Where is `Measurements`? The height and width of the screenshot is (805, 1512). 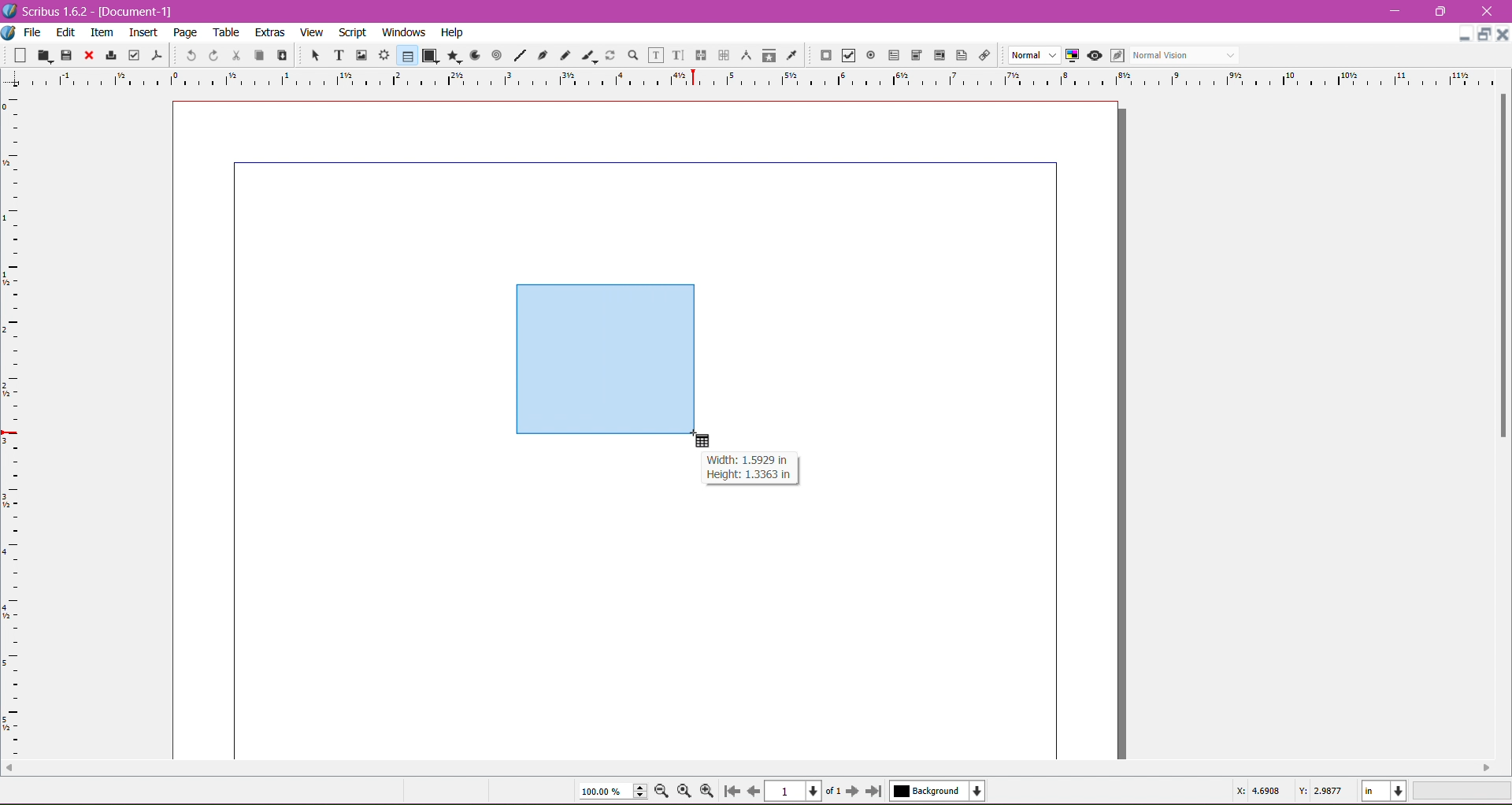
Measurements is located at coordinates (744, 56).